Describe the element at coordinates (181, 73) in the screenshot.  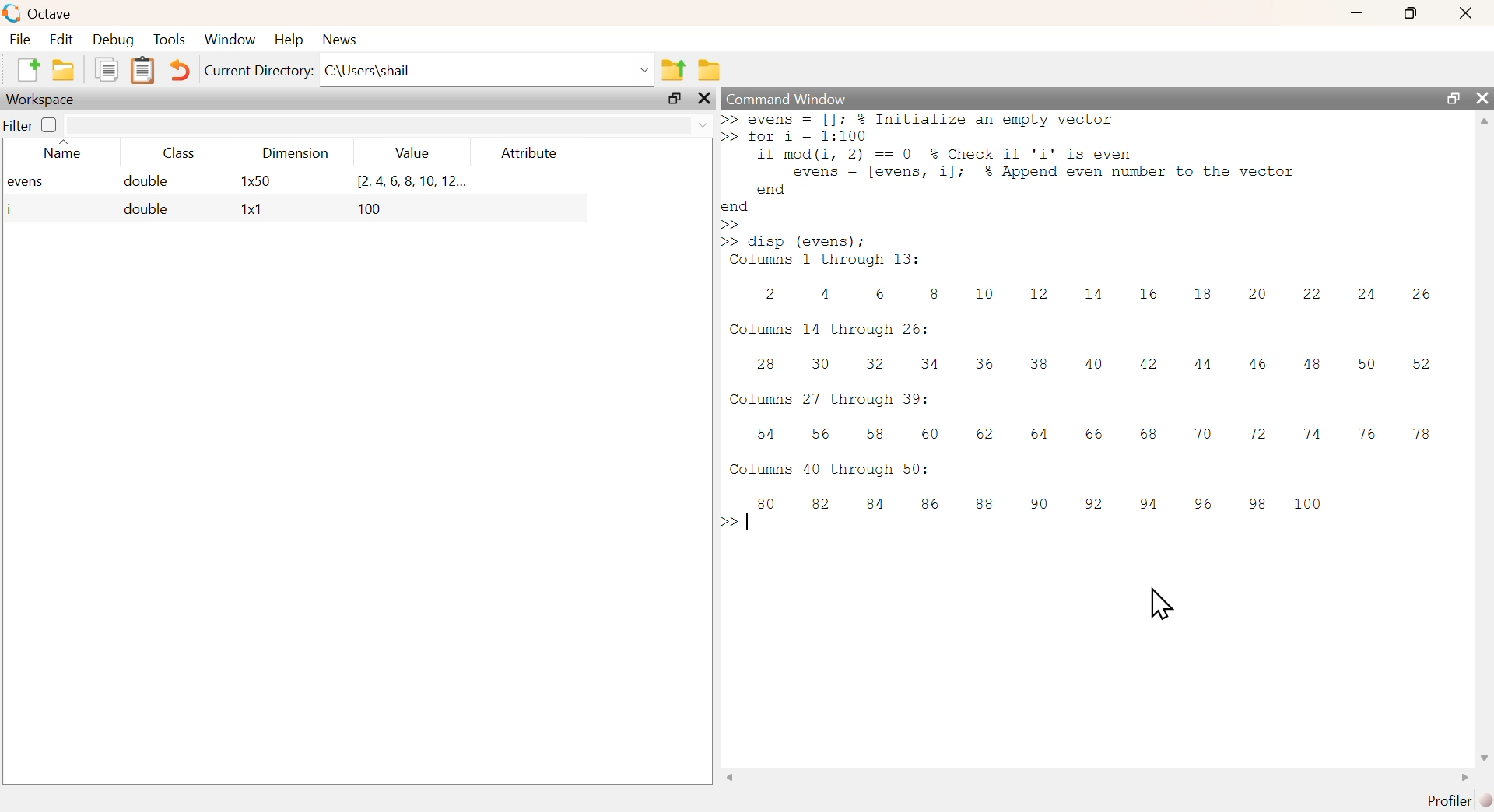
I see `undo` at that location.